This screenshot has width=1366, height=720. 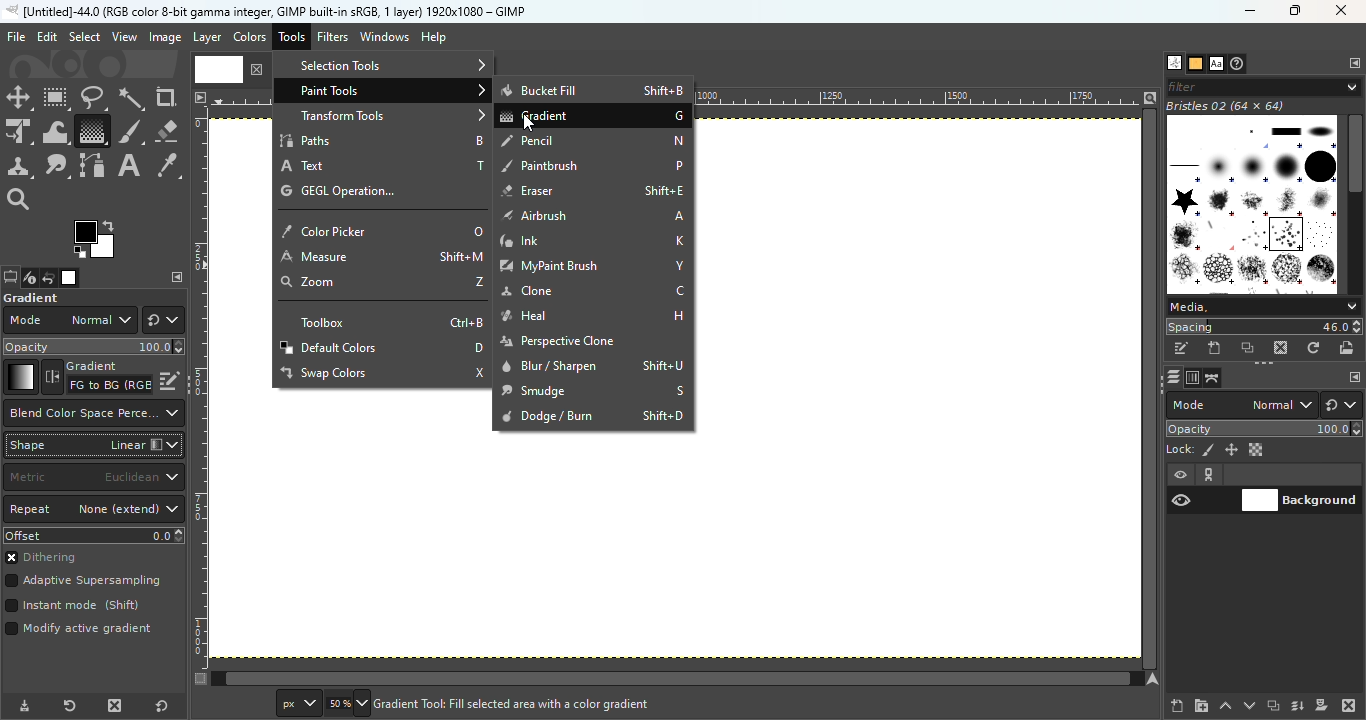 What do you see at coordinates (1353, 64) in the screenshot?
I see `Configure this tab` at bounding box center [1353, 64].